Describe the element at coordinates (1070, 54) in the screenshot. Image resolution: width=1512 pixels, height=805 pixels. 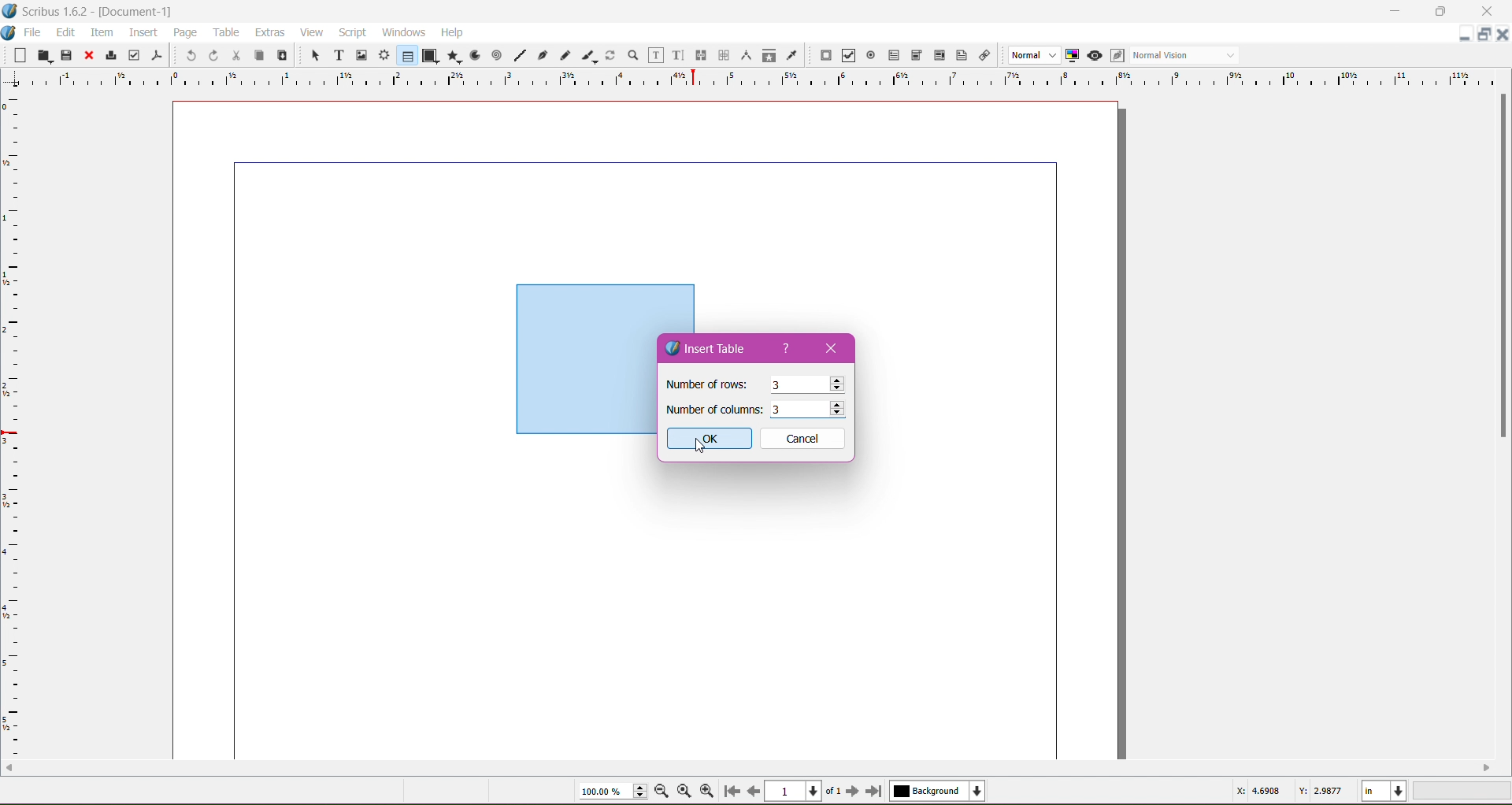
I see `Toggle Color Management System` at that location.